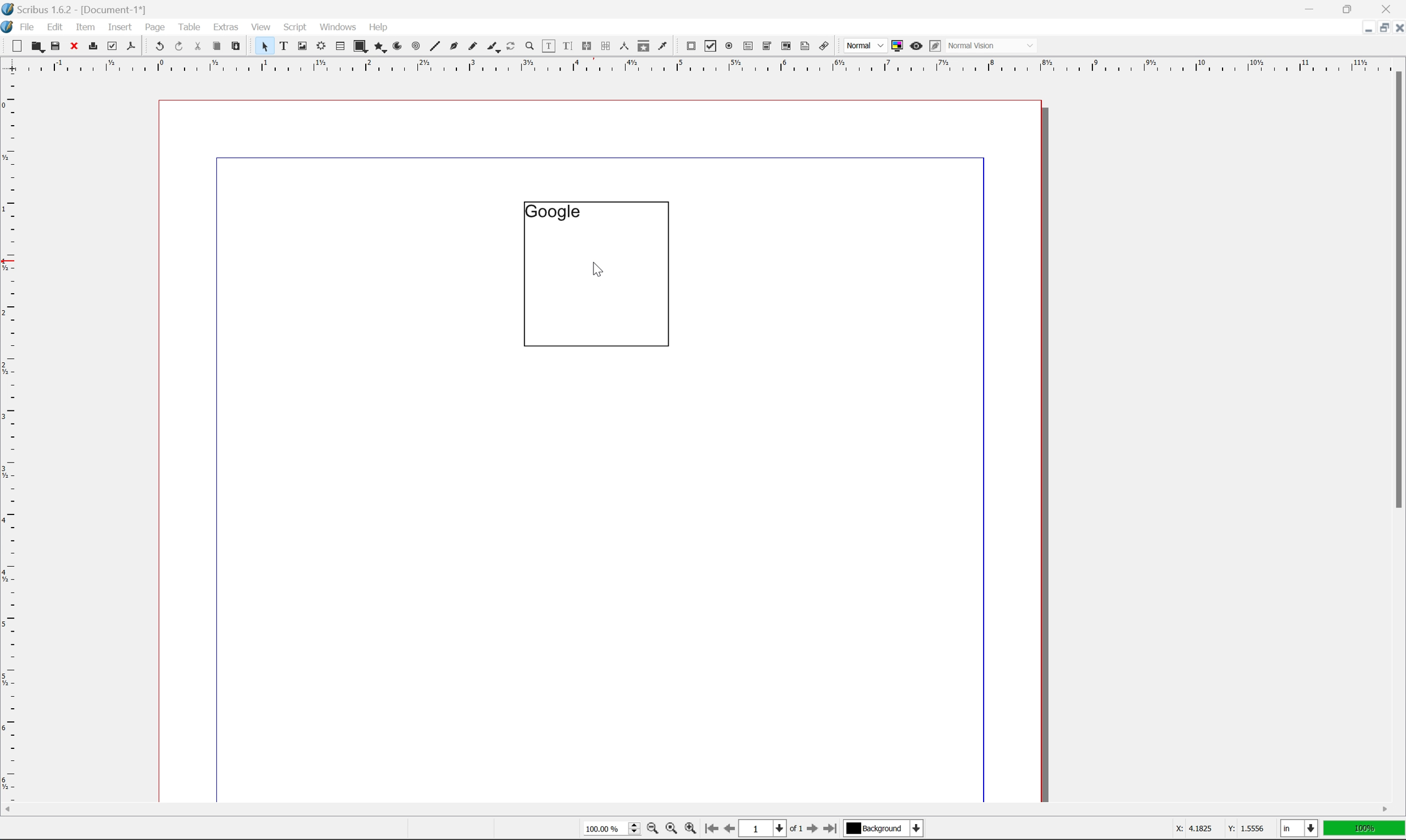  Describe the element at coordinates (435, 47) in the screenshot. I see `line` at that location.